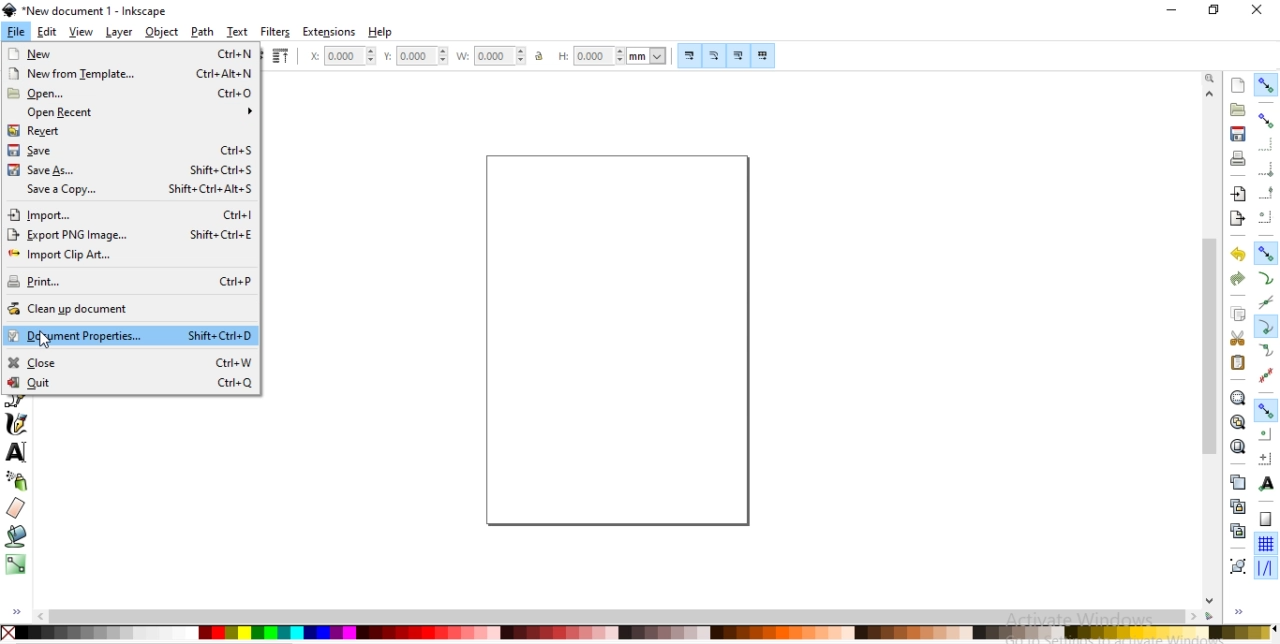 This screenshot has width=1280, height=644. What do you see at coordinates (16, 564) in the screenshot?
I see `create and edit gradients` at bounding box center [16, 564].